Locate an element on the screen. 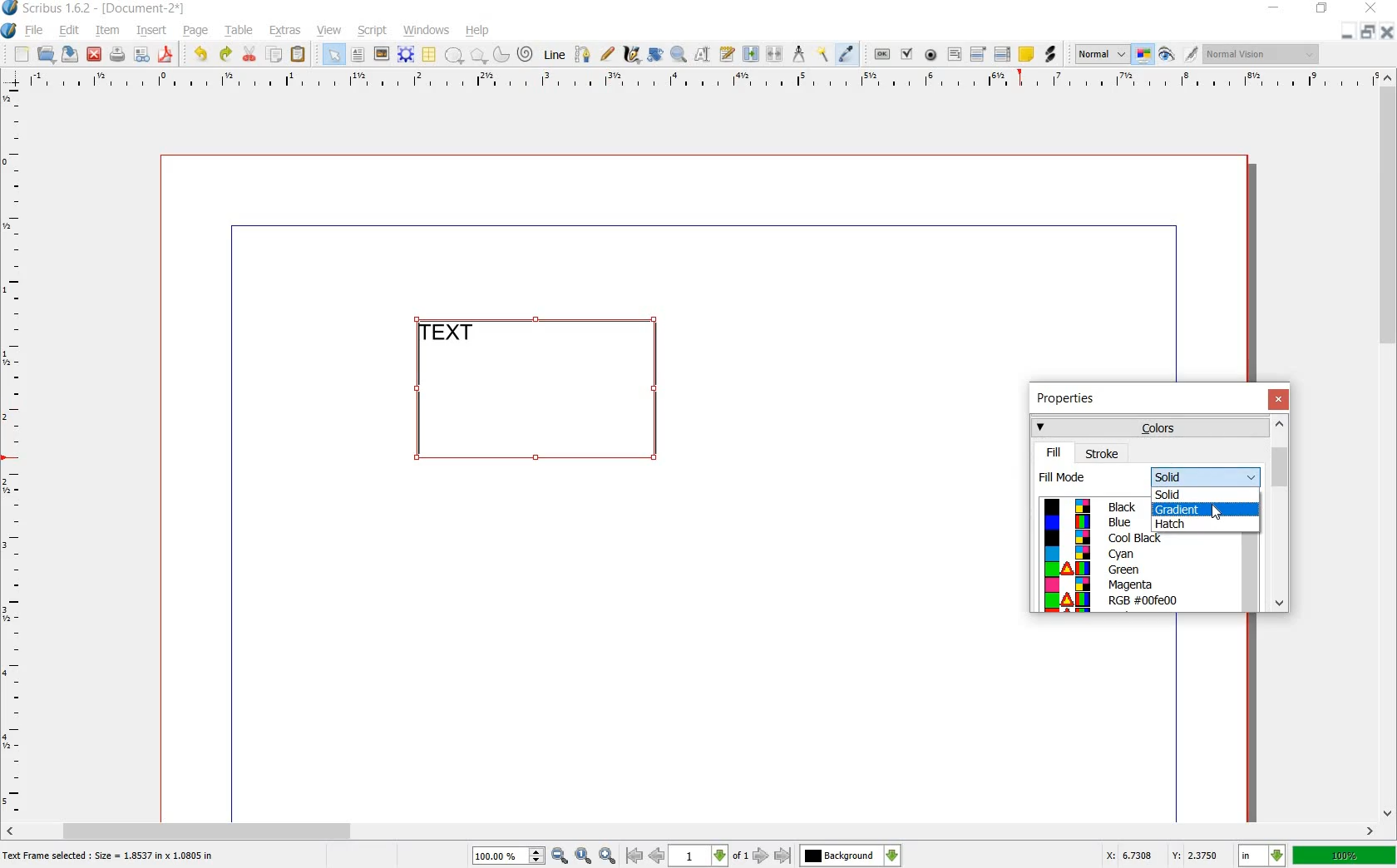  scribus 1.6.2 - [document-2*] is located at coordinates (110, 9).